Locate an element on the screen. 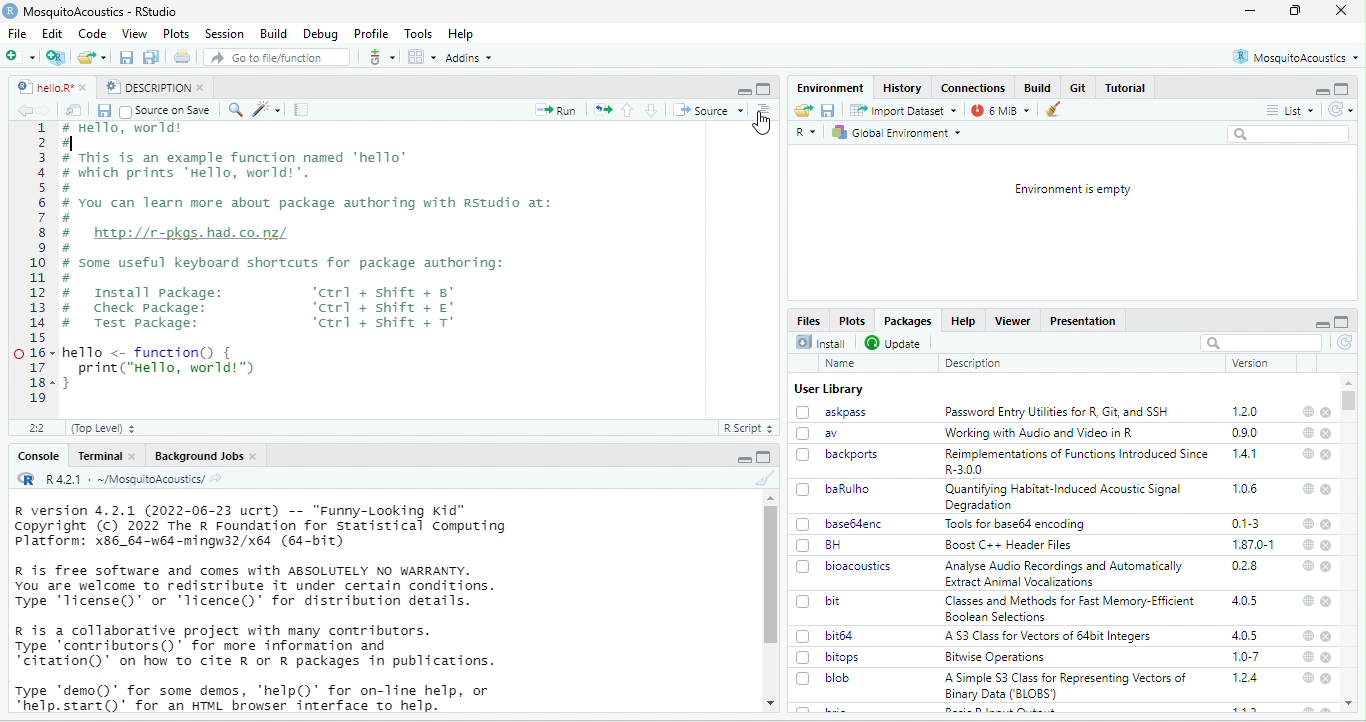 This screenshot has width=1366, height=722. View is located at coordinates (134, 32).